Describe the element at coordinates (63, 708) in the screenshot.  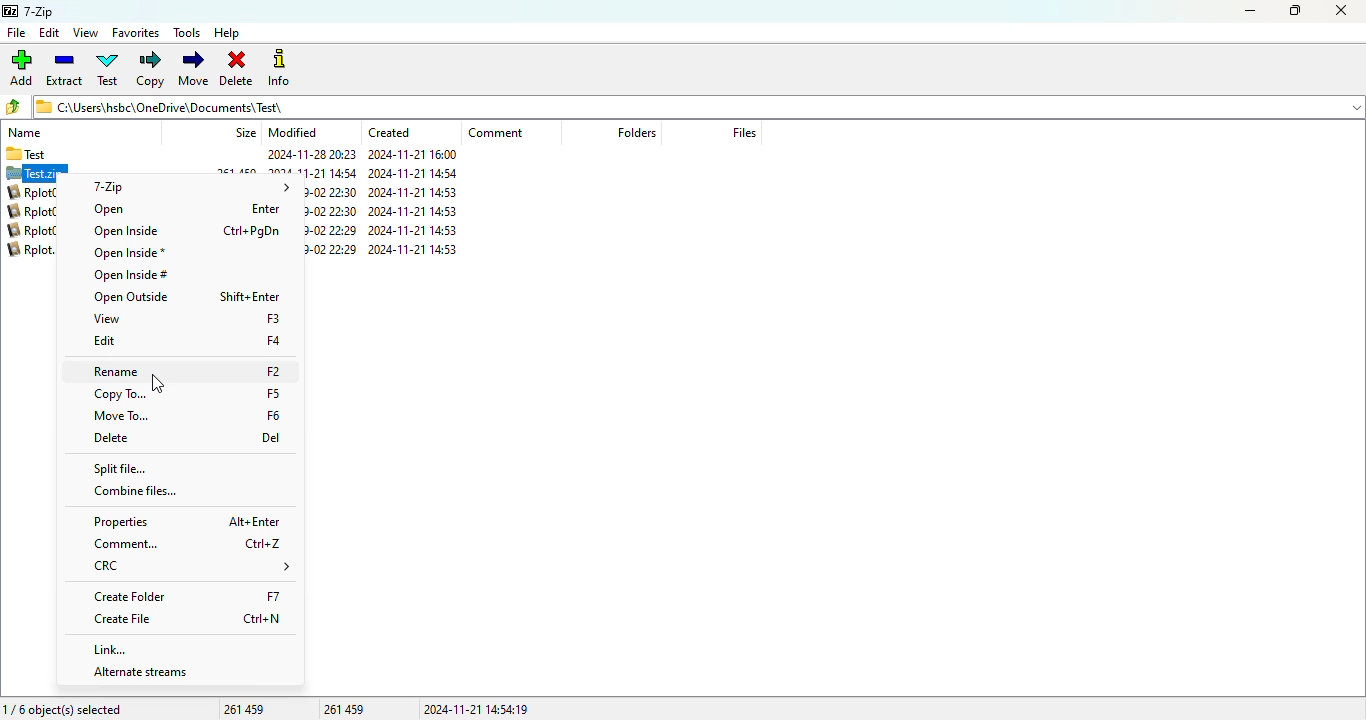
I see `1/6 object(s) selected` at that location.